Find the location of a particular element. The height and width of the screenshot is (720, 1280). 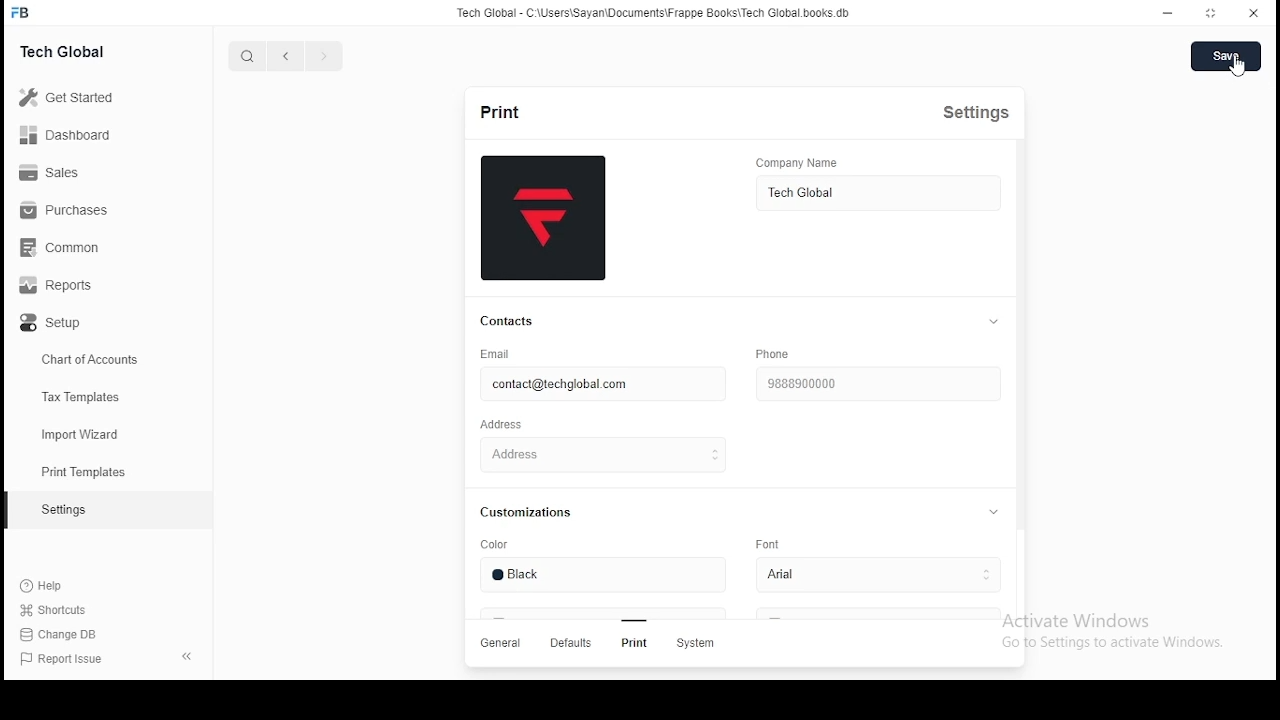

Help is located at coordinates (56, 588).